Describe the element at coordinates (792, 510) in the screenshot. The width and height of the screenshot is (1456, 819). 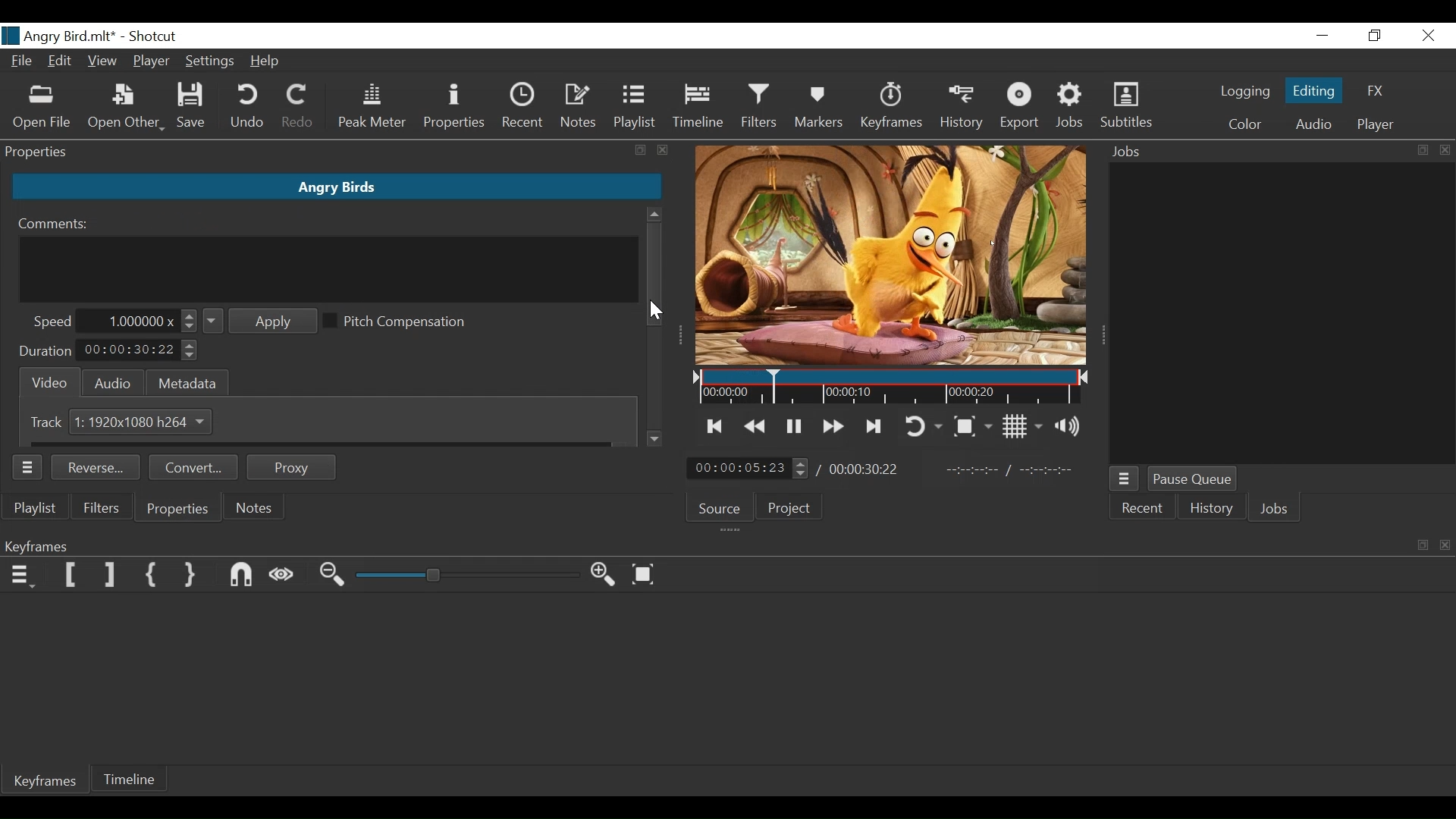
I see `Project` at that location.